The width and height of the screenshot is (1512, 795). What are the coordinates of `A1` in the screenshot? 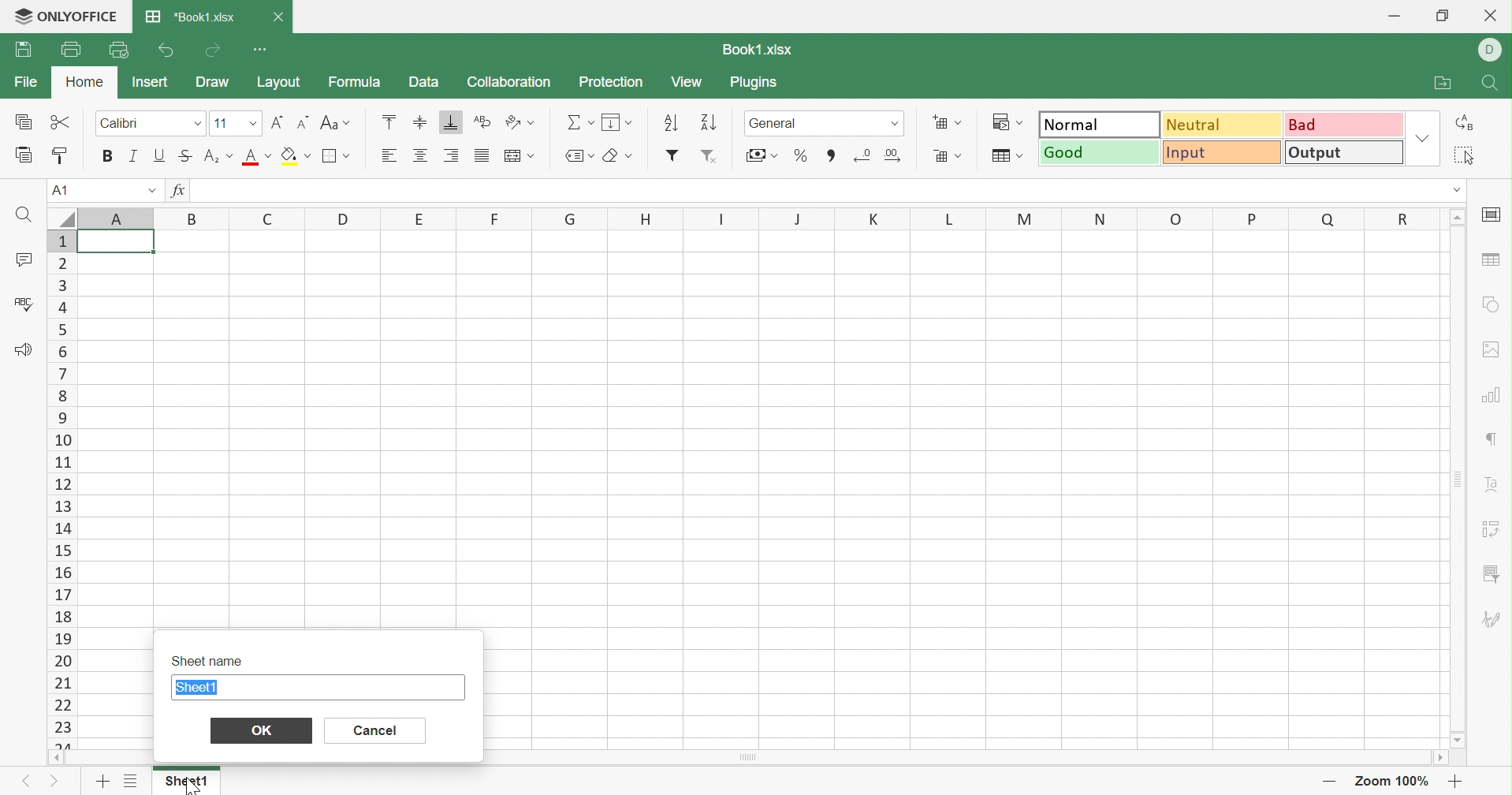 It's located at (65, 189).